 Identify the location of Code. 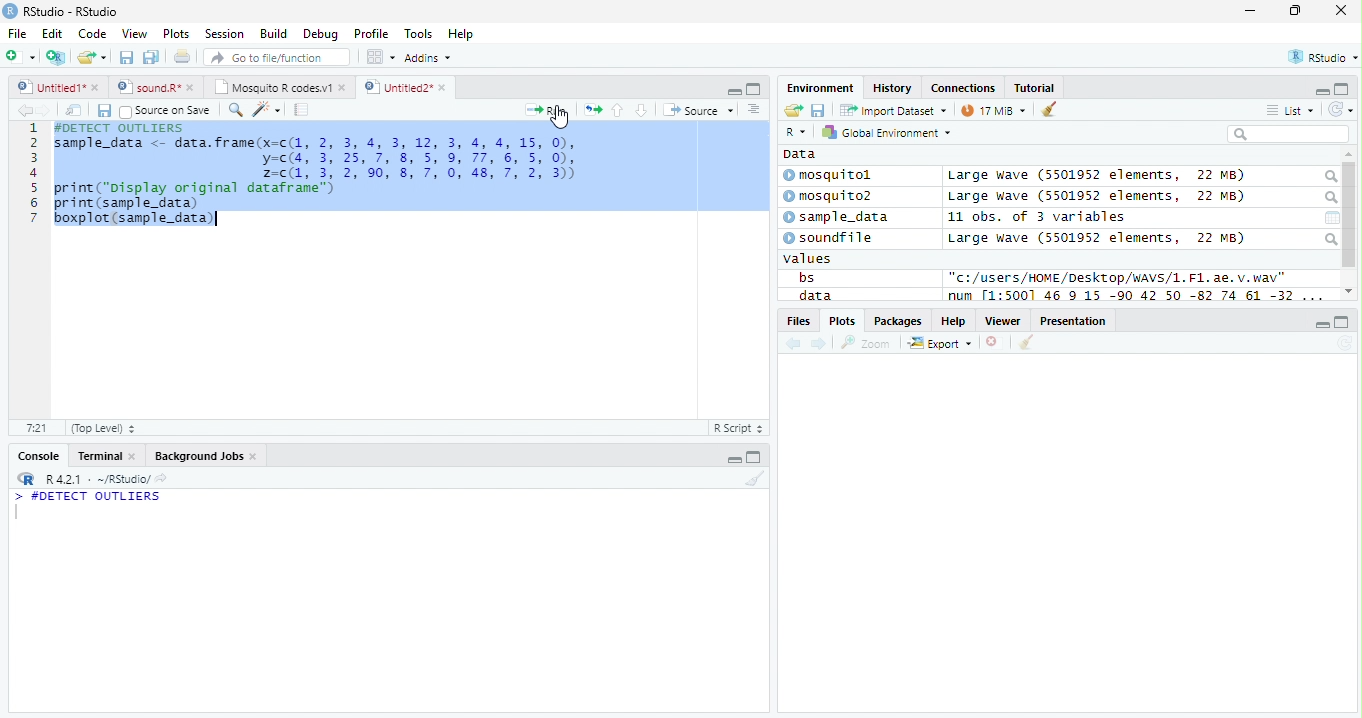
(92, 34).